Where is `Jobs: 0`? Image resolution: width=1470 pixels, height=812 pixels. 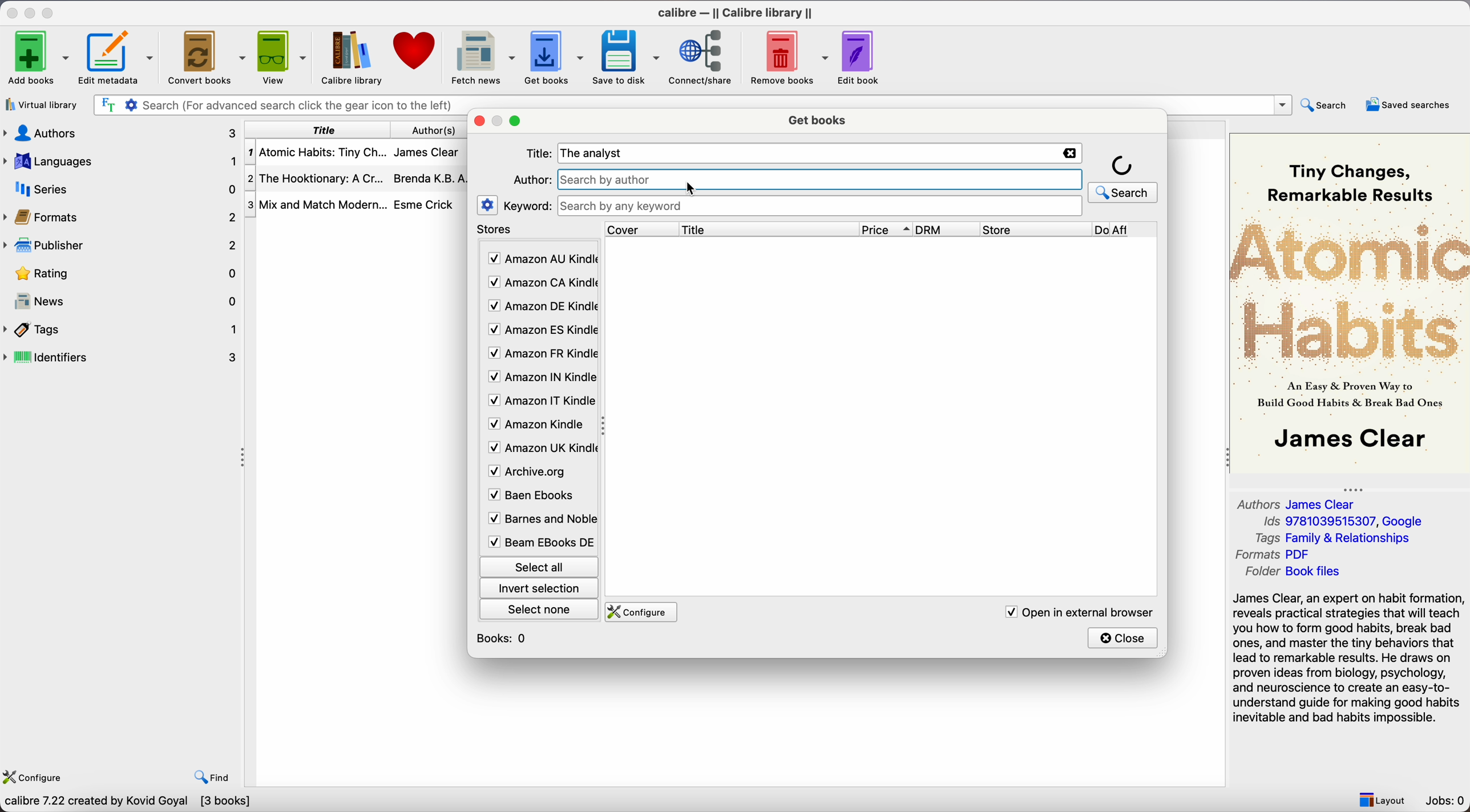 Jobs: 0 is located at coordinates (1447, 802).